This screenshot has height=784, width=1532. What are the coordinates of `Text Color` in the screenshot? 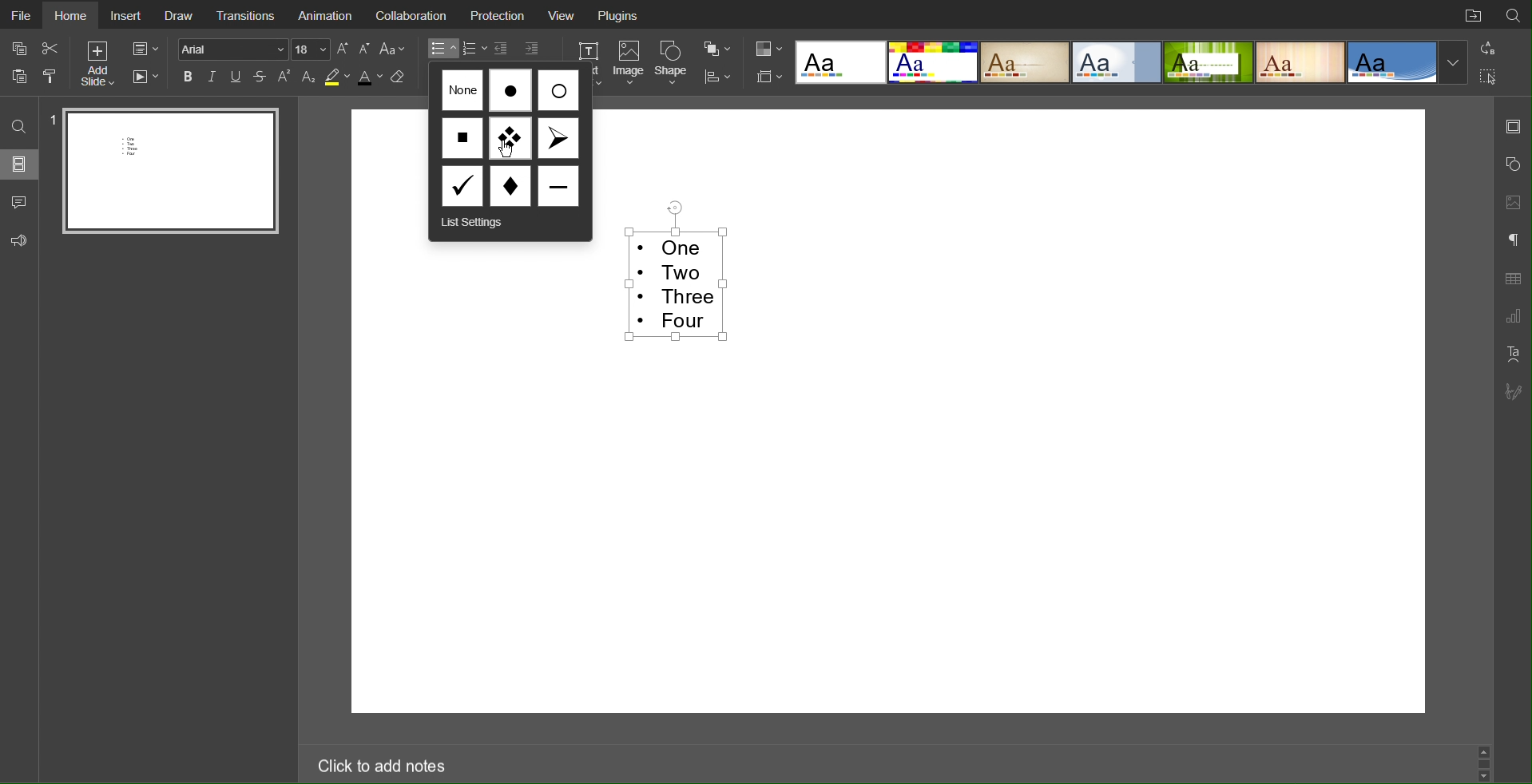 It's located at (371, 77).